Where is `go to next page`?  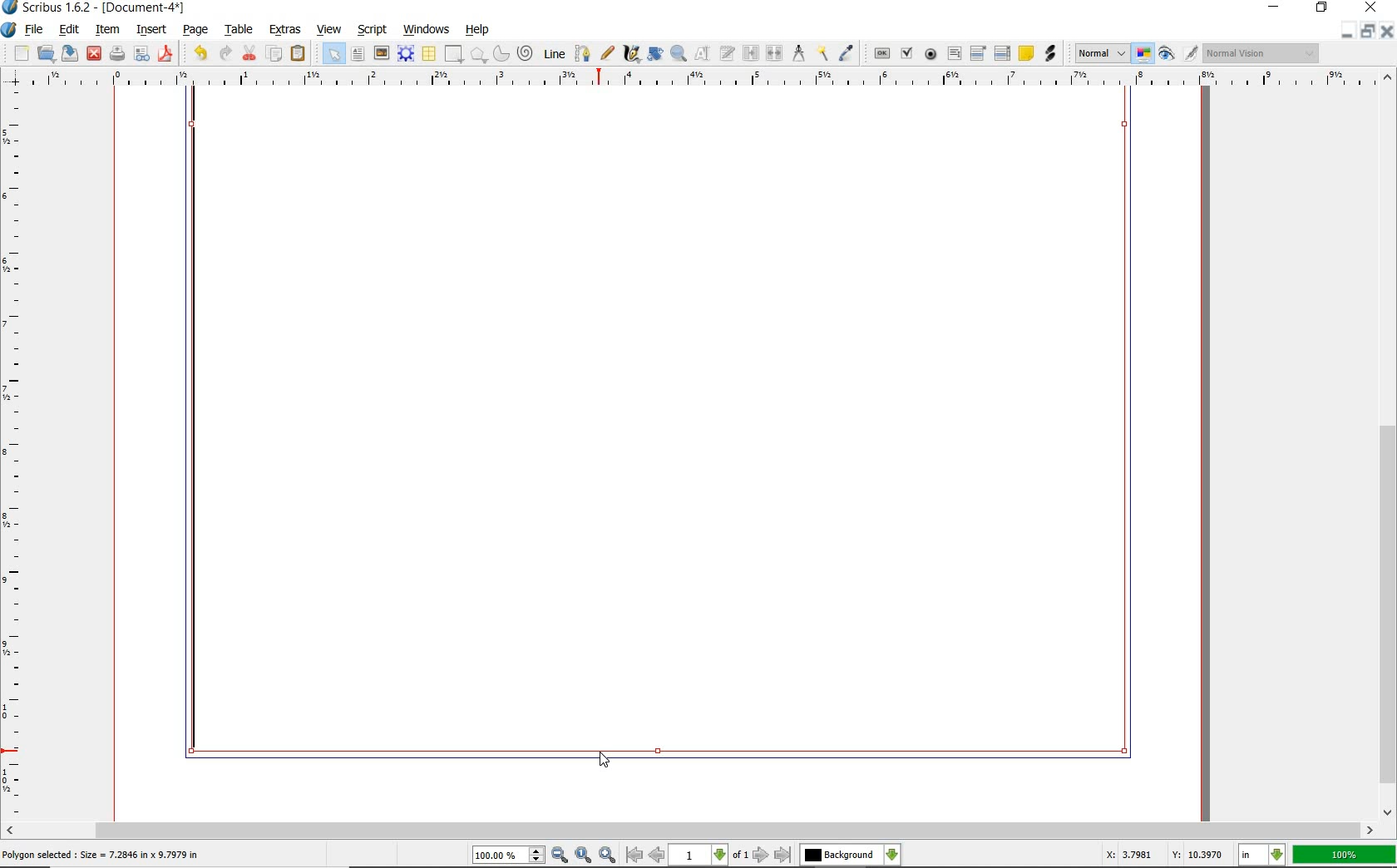 go to next page is located at coordinates (762, 855).